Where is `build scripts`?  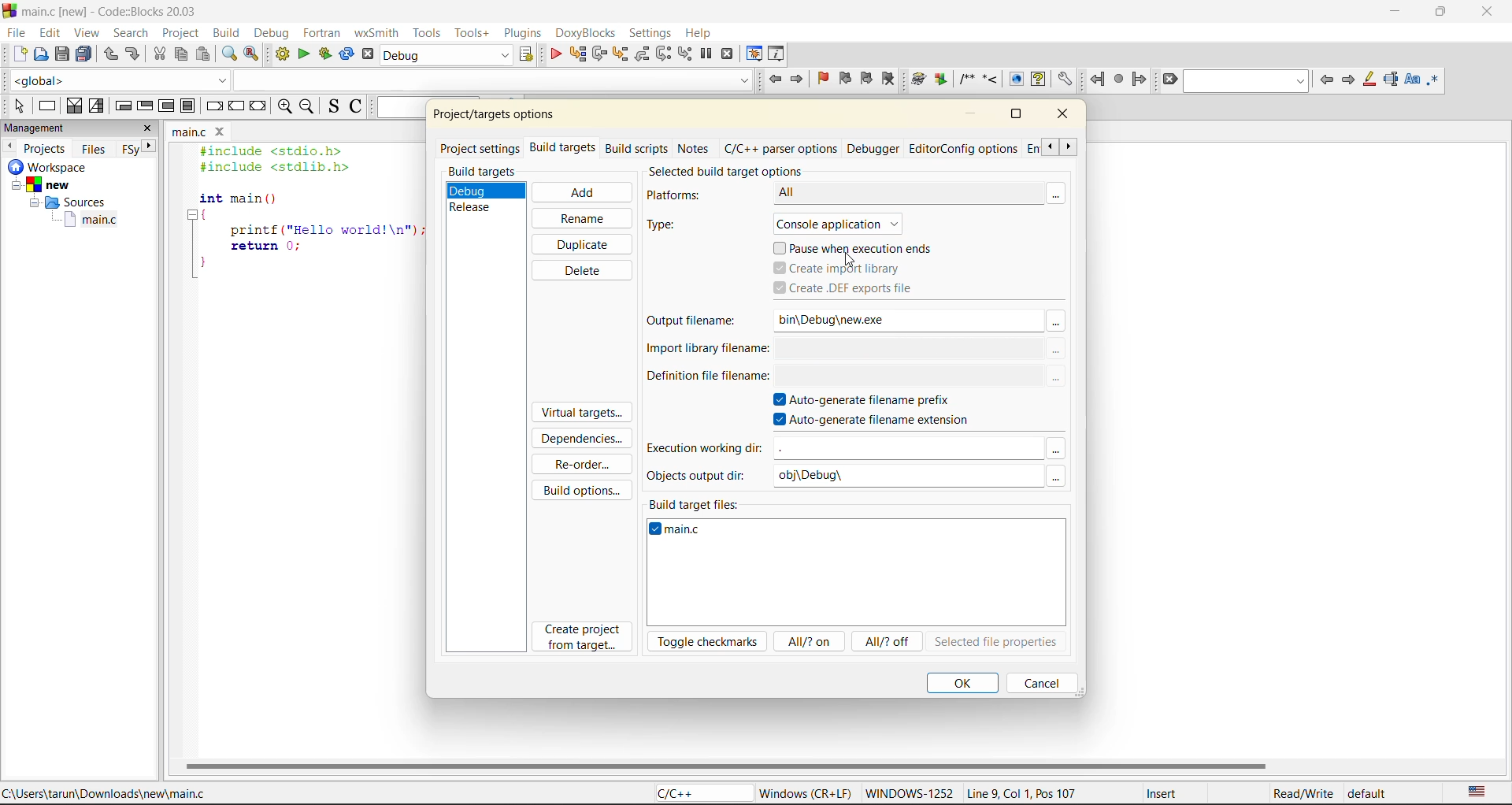
build scripts is located at coordinates (636, 148).